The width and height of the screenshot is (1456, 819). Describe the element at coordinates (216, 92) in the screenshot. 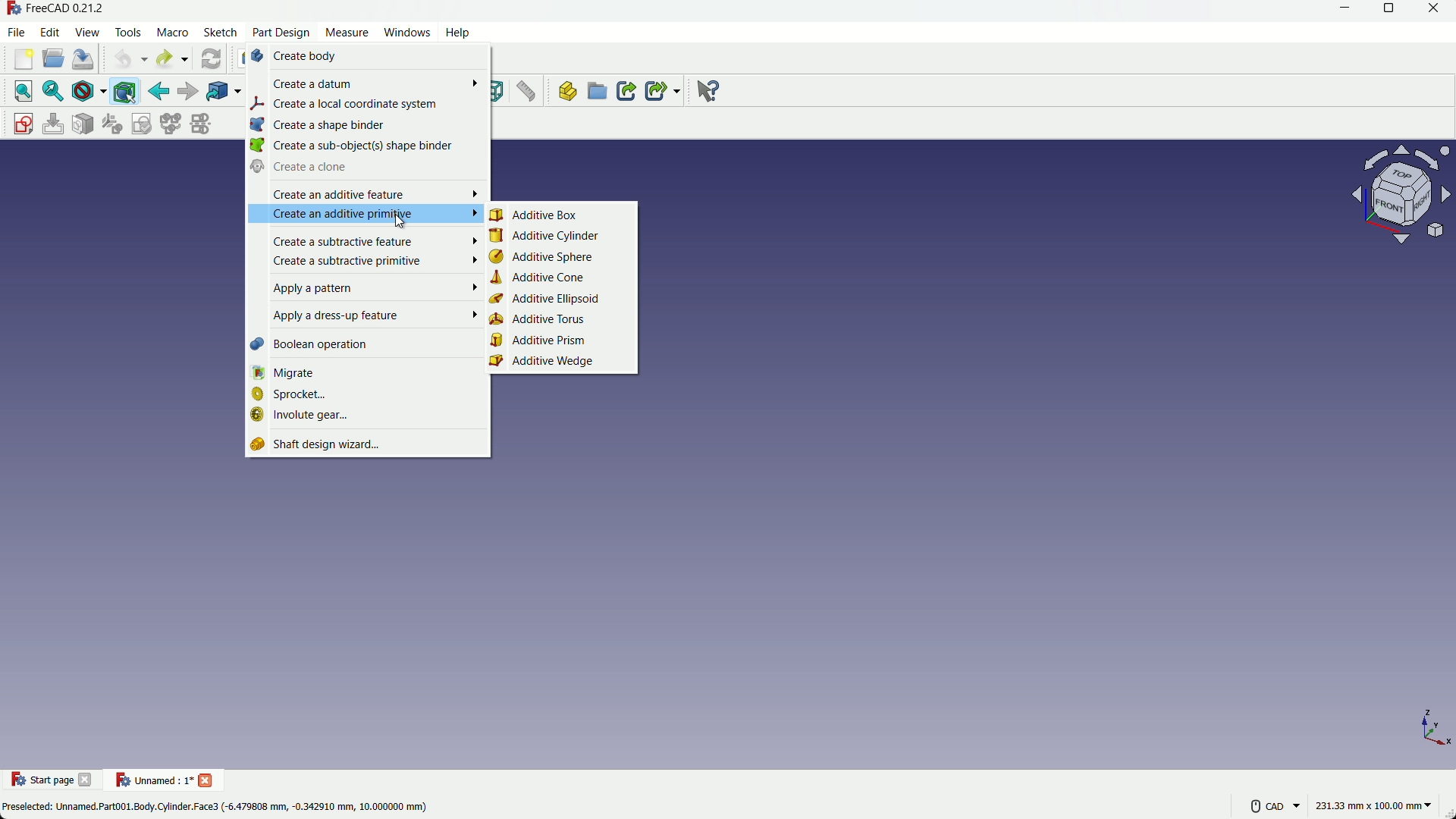

I see `link object` at that location.